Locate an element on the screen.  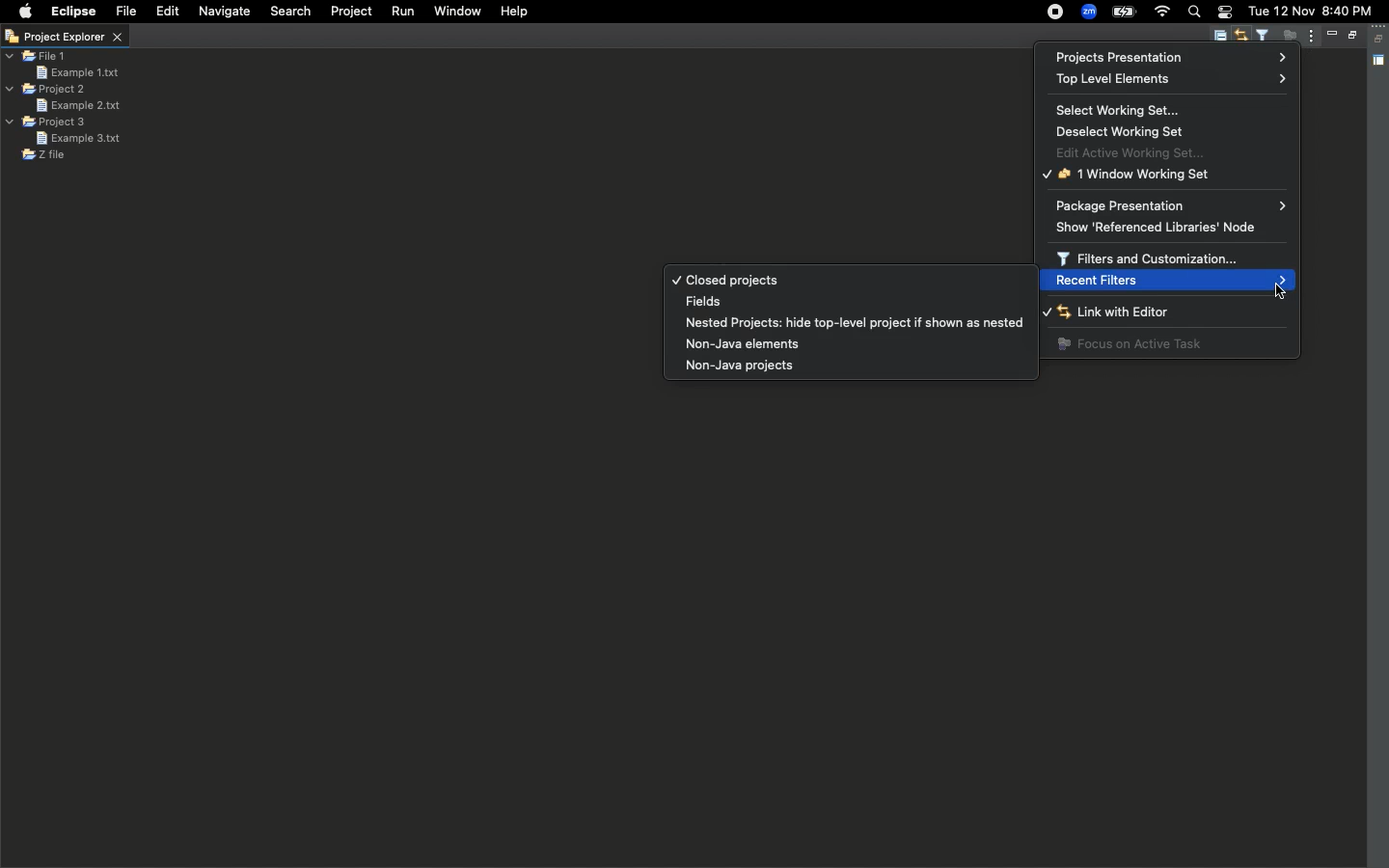
Shared area is located at coordinates (1380, 62).